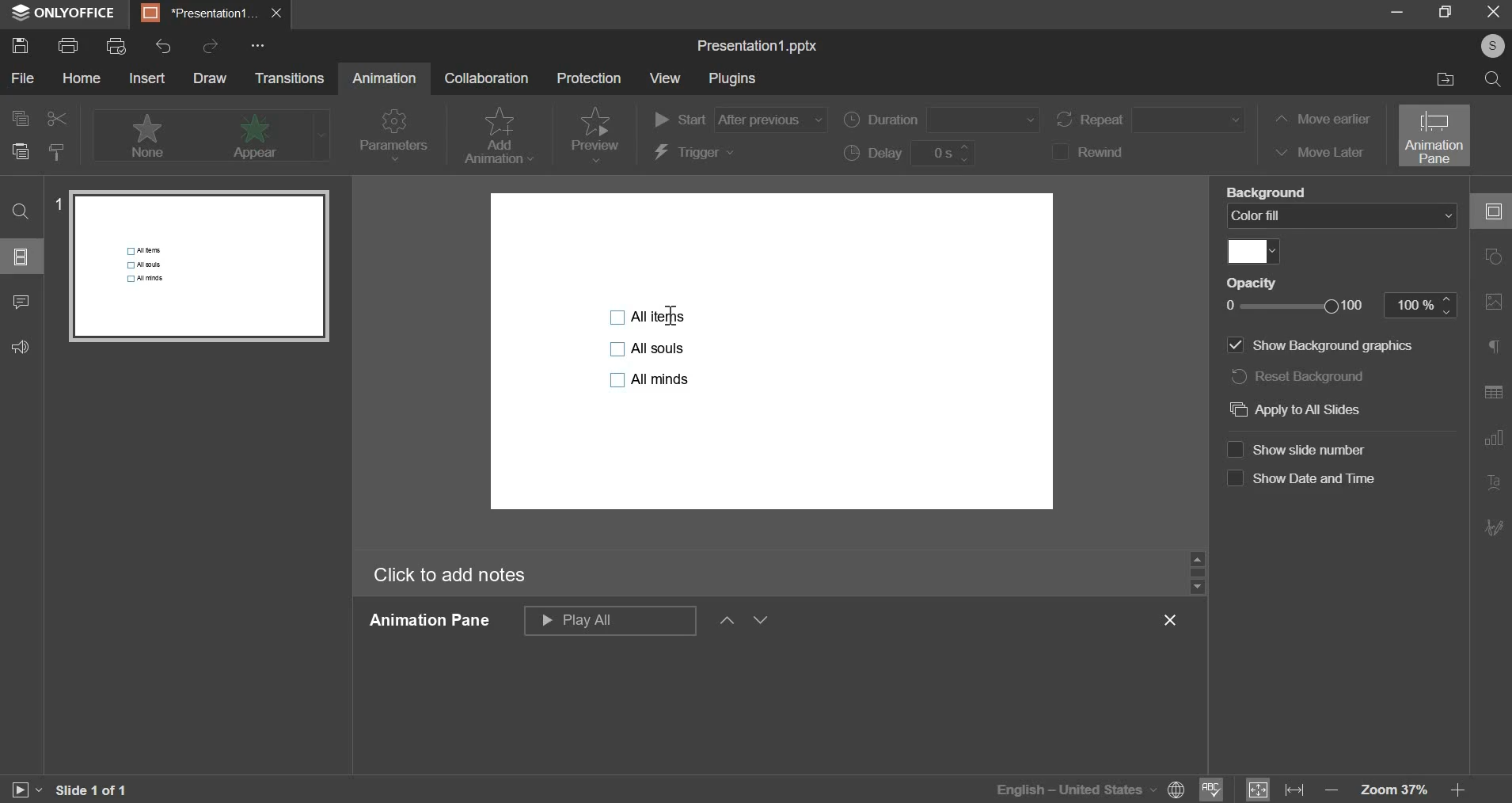  What do you see at coordinates (28, 346) in the screenshot?
I see `feedback` at bounding box center [28, 346].